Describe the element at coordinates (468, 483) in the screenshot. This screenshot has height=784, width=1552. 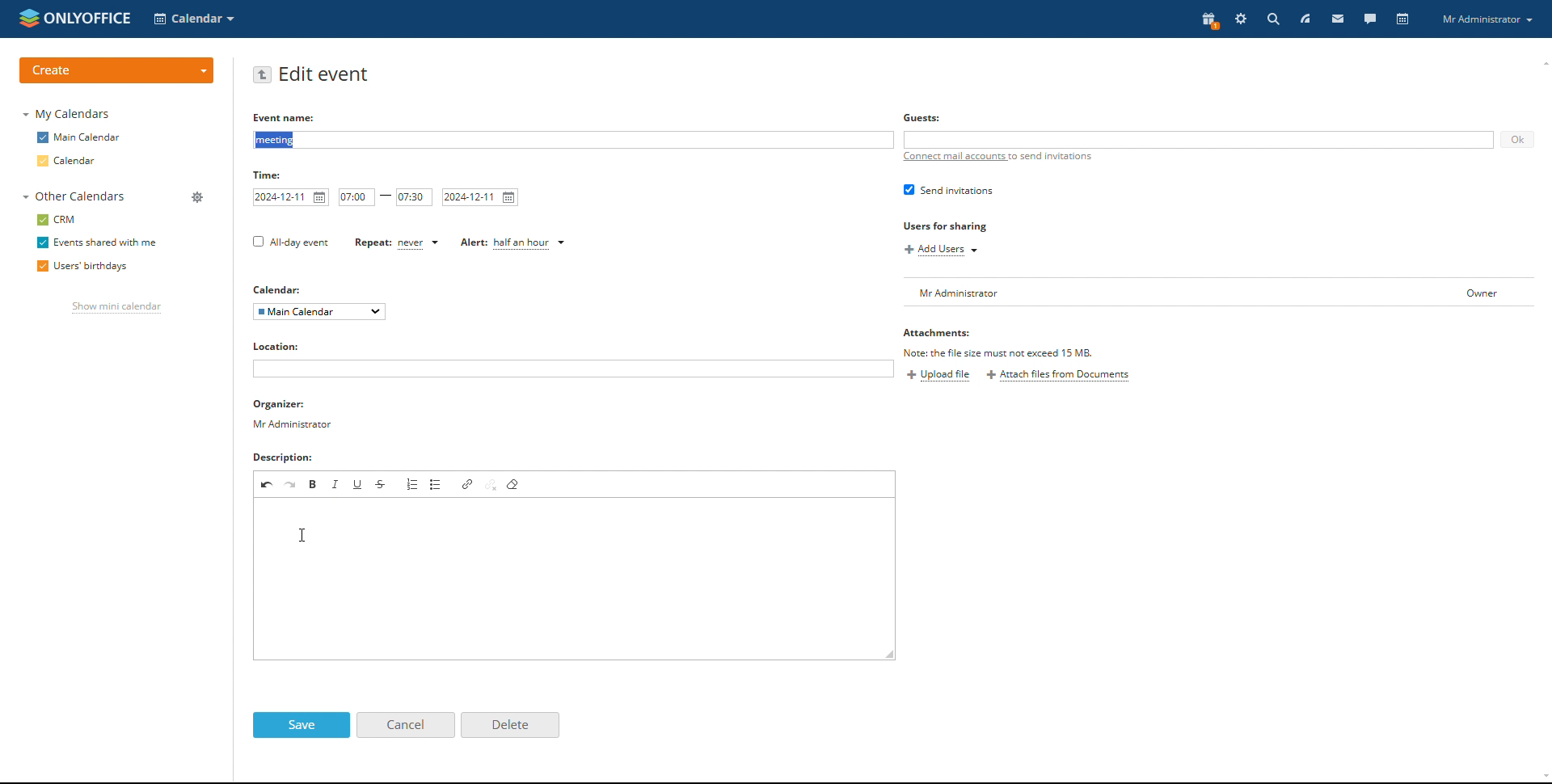
I see `link` at that location.